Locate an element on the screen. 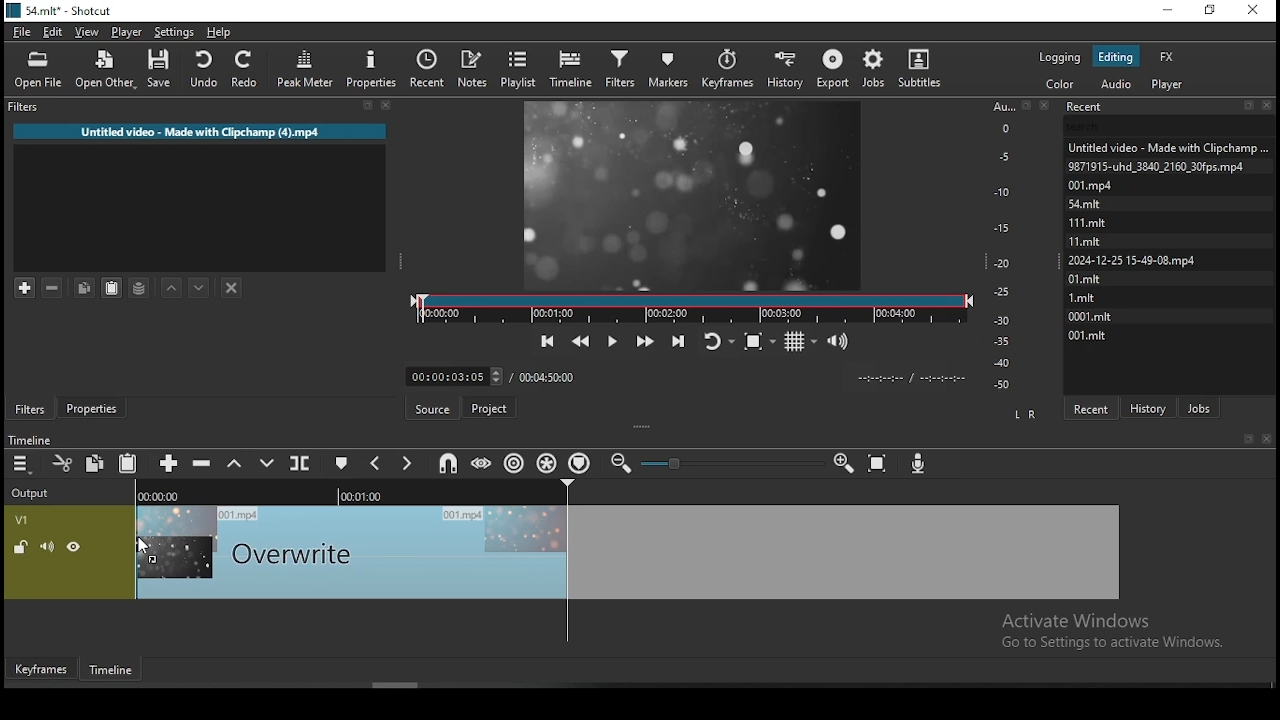  scale is located at coordinates (1005, 247).